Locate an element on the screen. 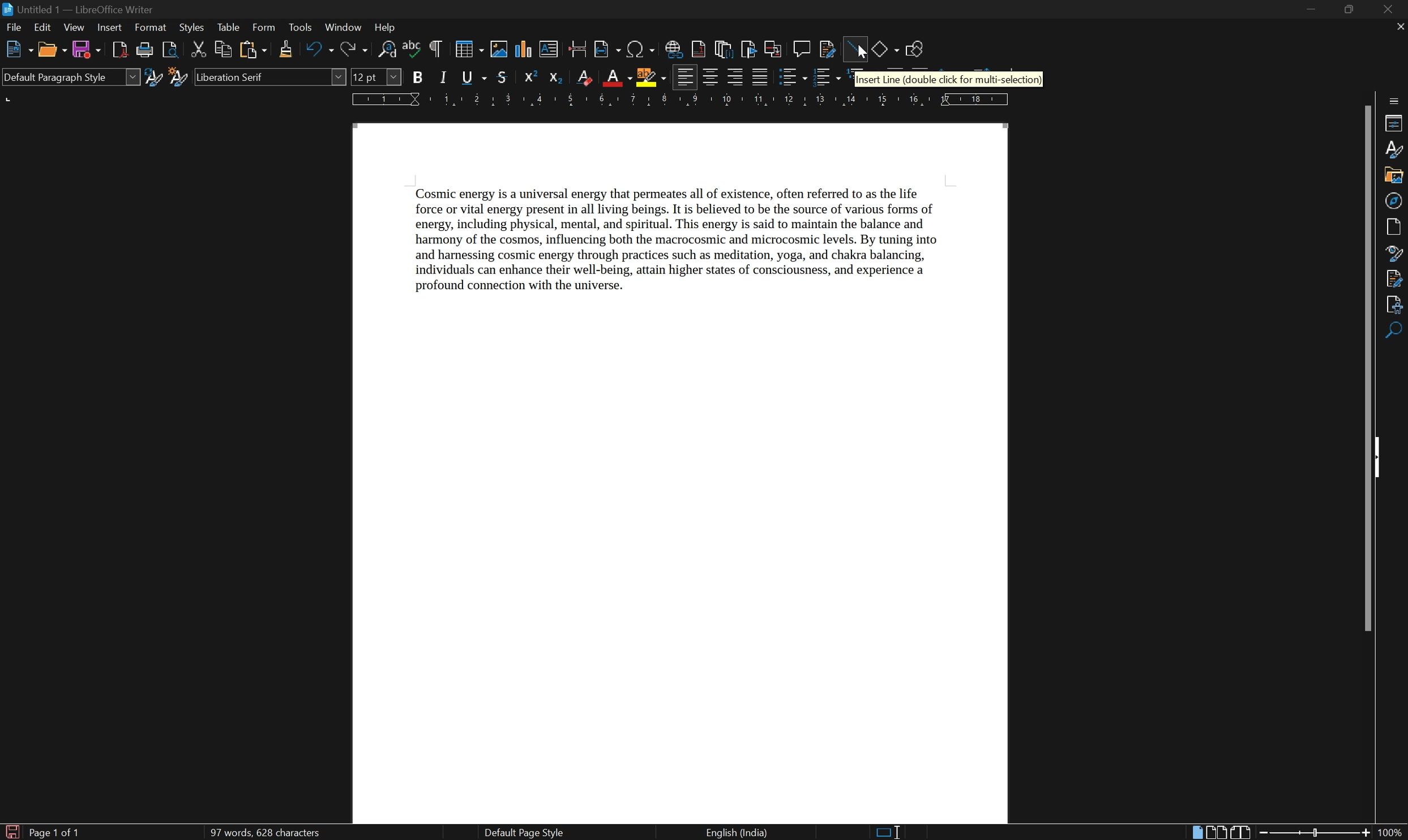 The image size is (1408, 840). strikethrough is located at coordinates (503, 77).